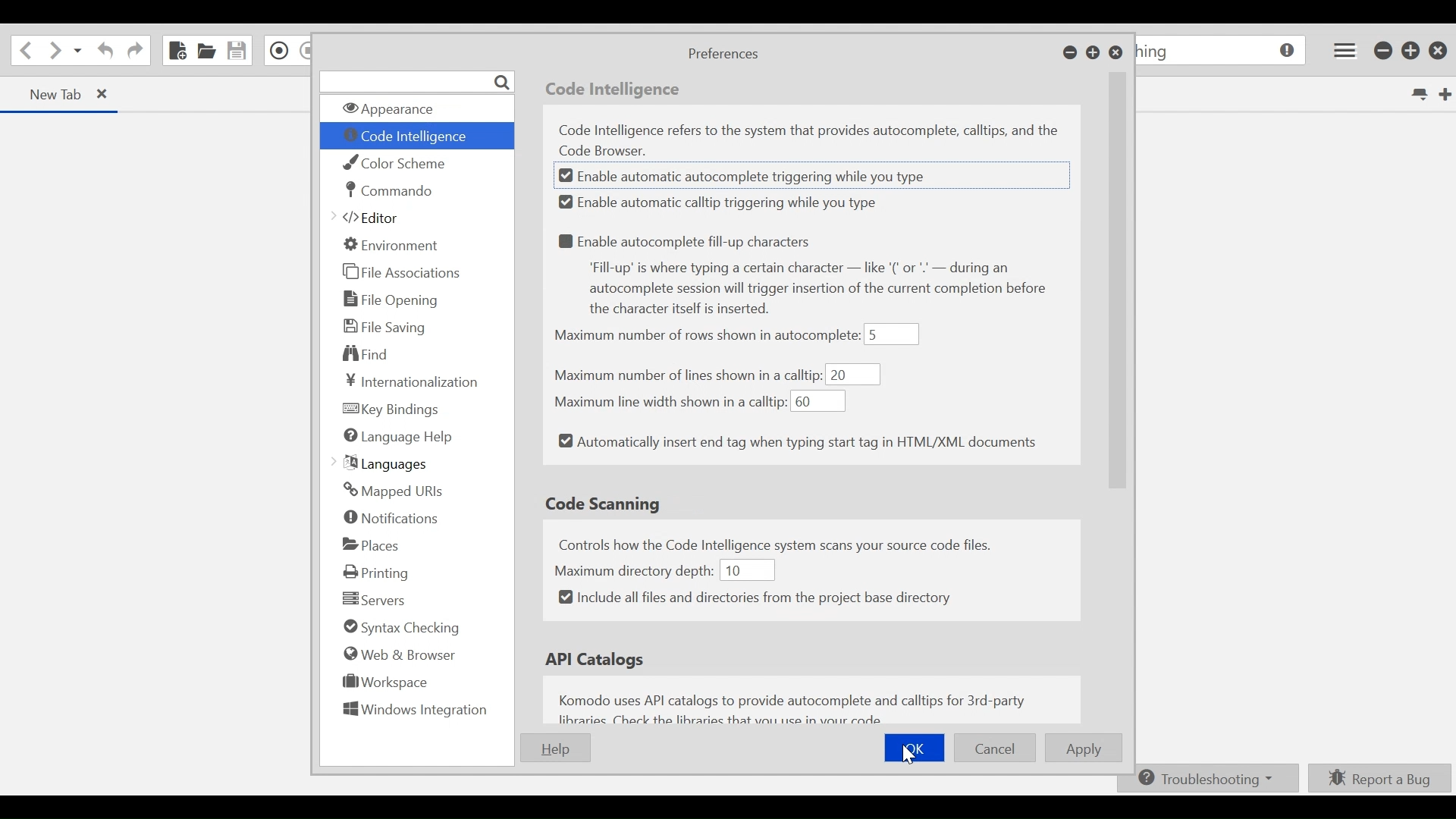 Image resolution: width=1456 pixels, height=819 pixels. I want to click on New File , so click(176, 50).